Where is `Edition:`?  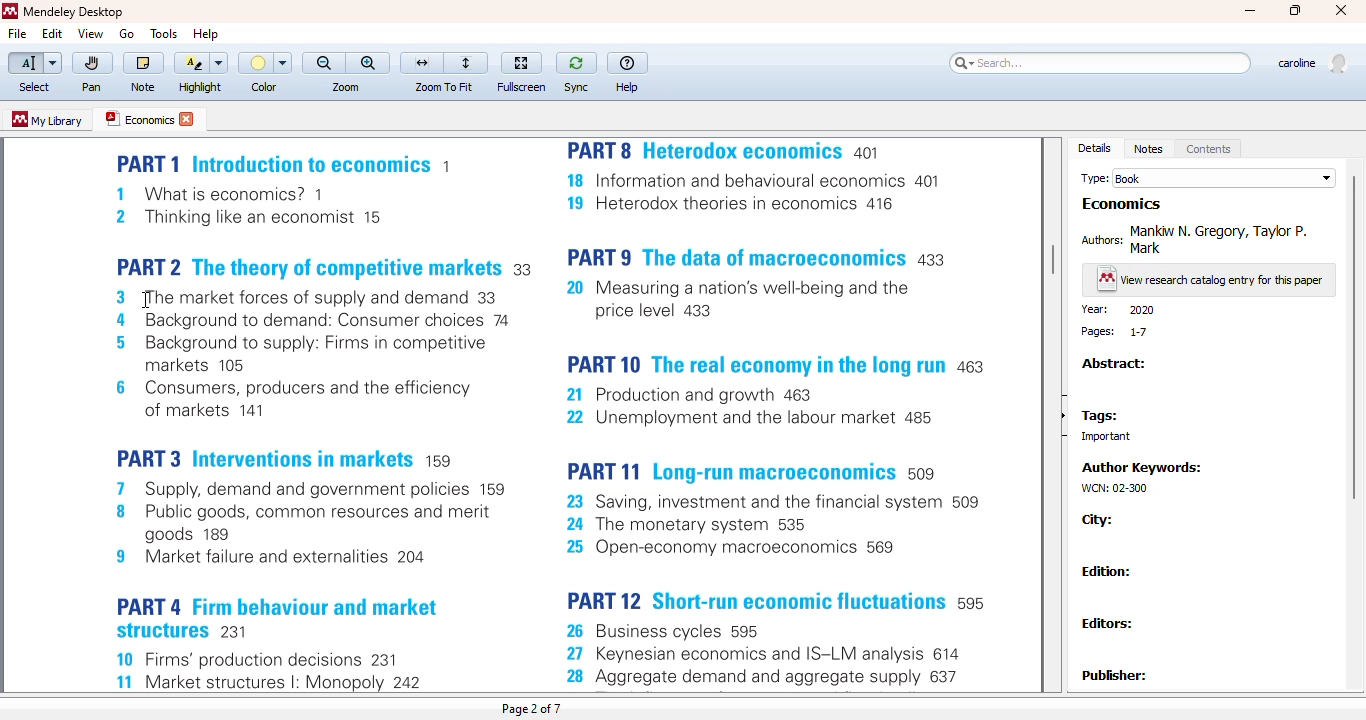 Edition: is located at coordinates (1107, 569).